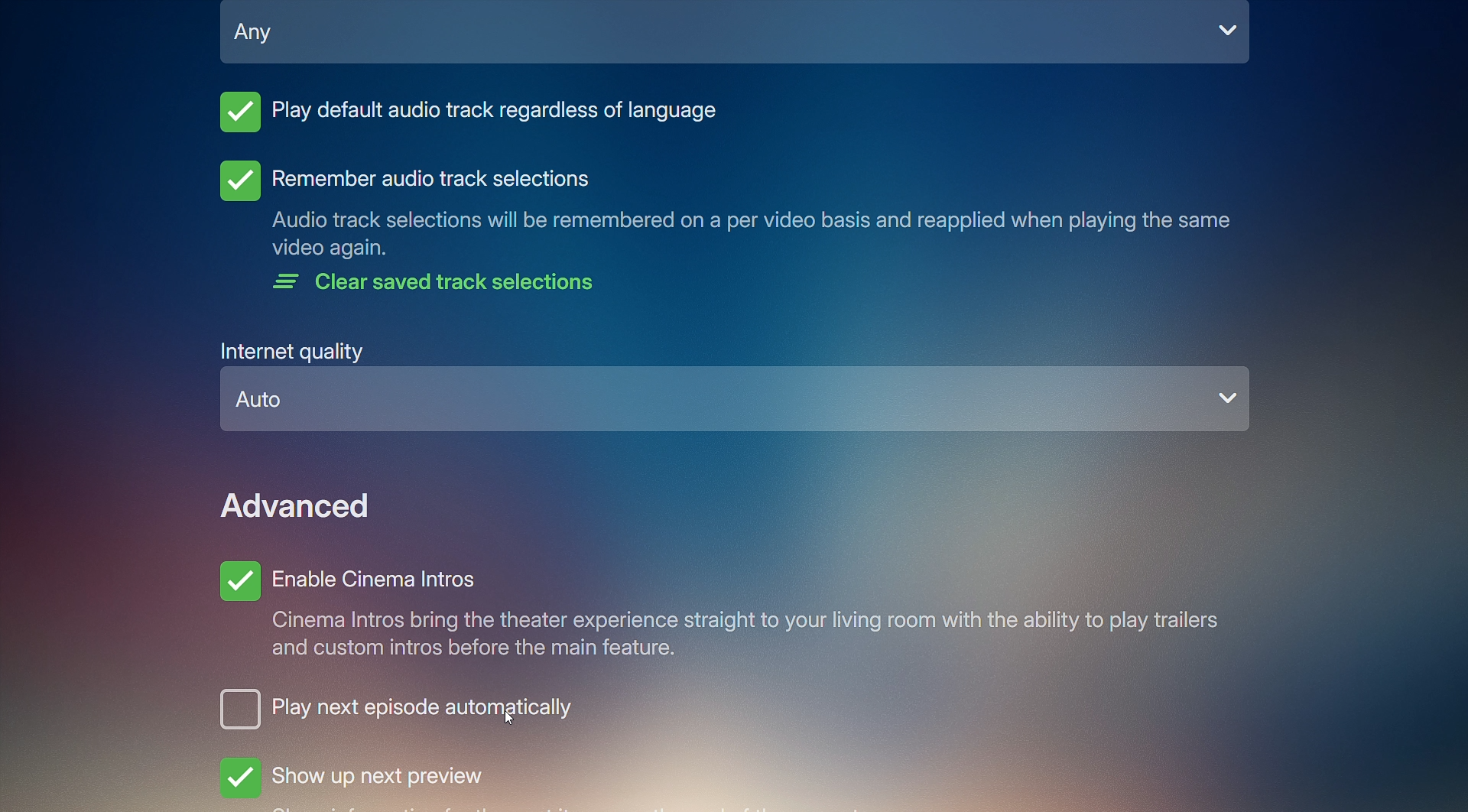  Describe the element at coordinates (472, 117) in the screenshot. I see `Play default audio track` at that location.